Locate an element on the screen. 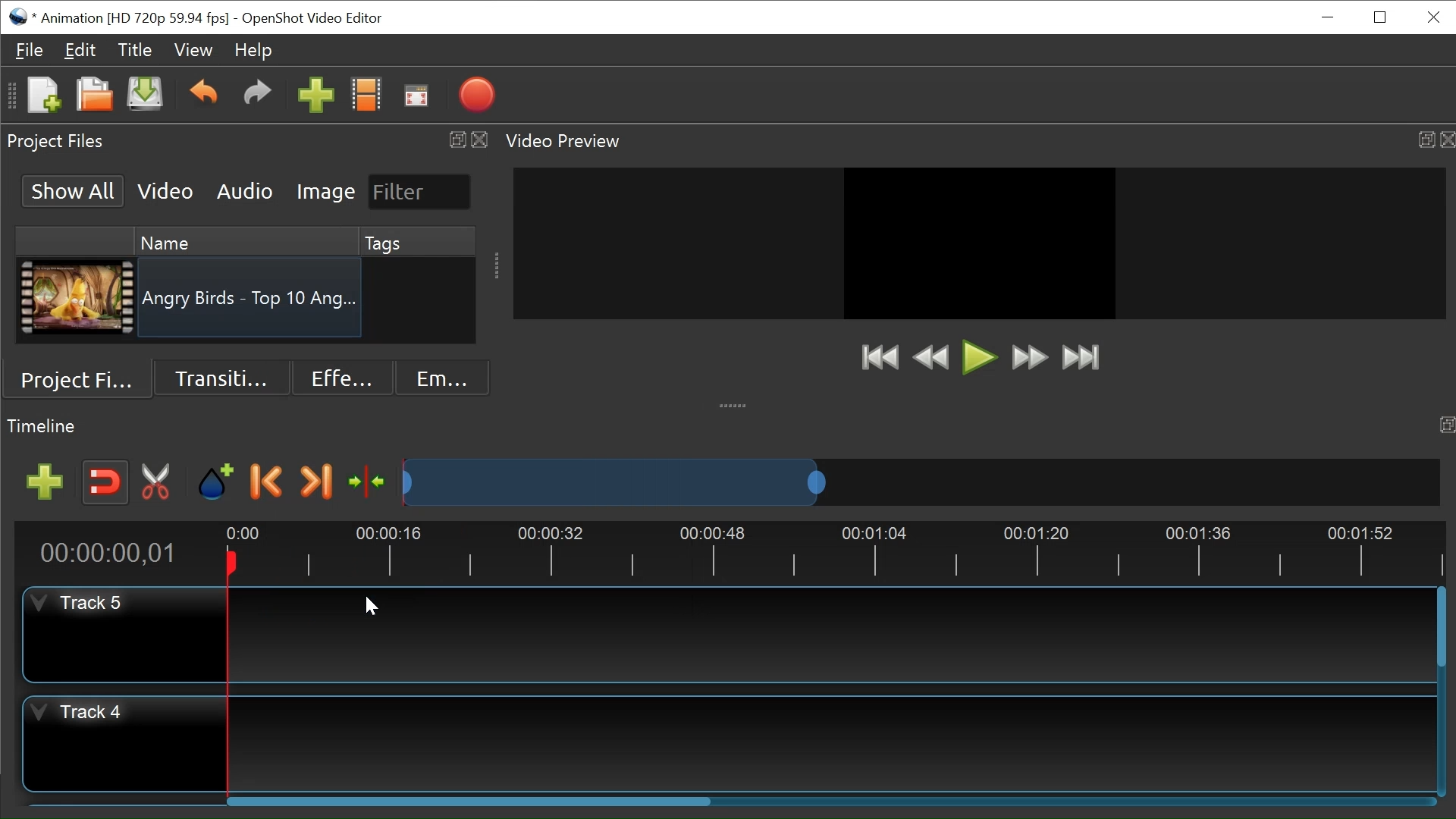 The height and width of the screenshot is (819, 1456). Timeline Panel is located at coordinates (44, 426).